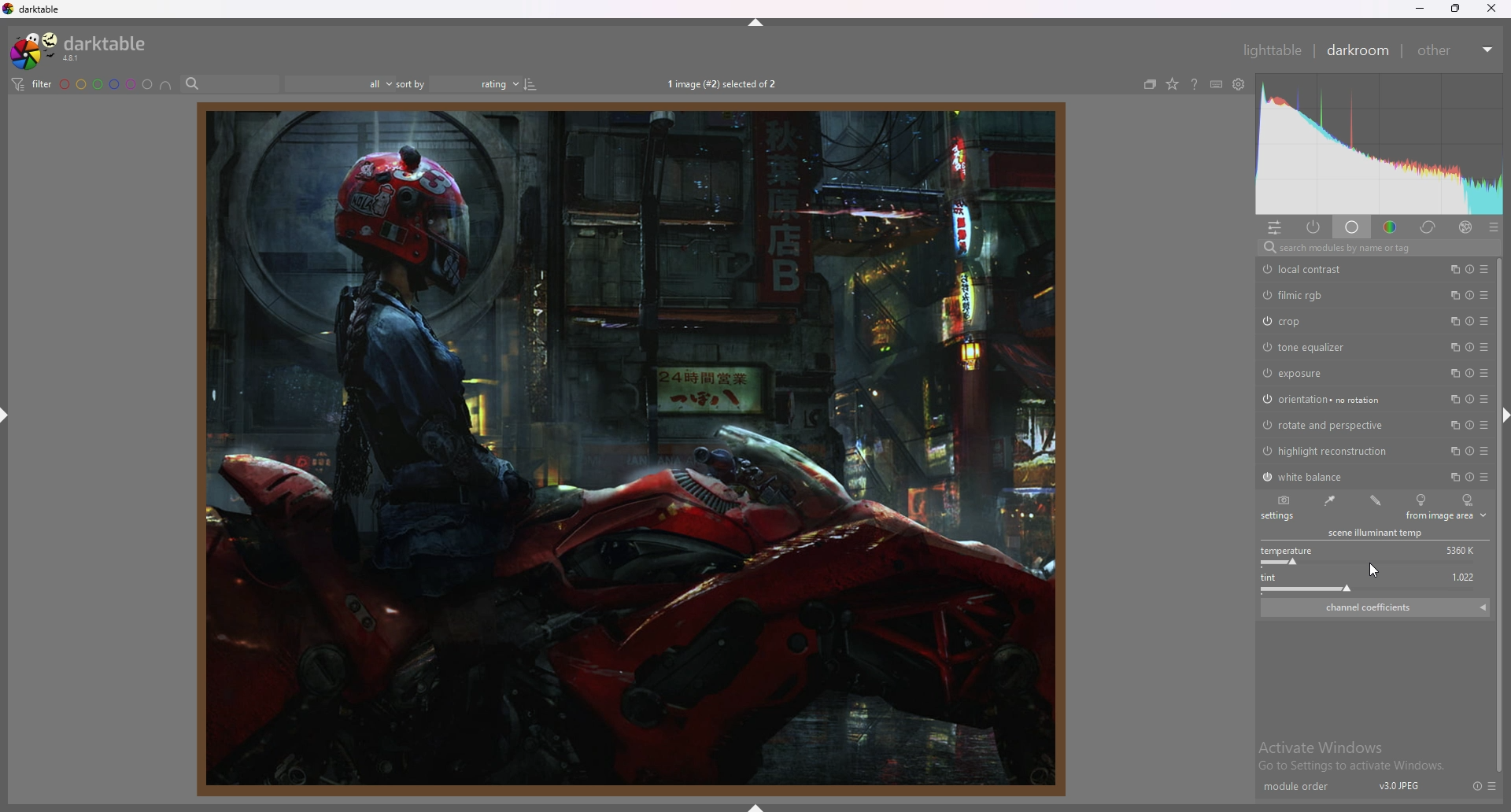  I want to click on 1,022, so click(1464, 576).